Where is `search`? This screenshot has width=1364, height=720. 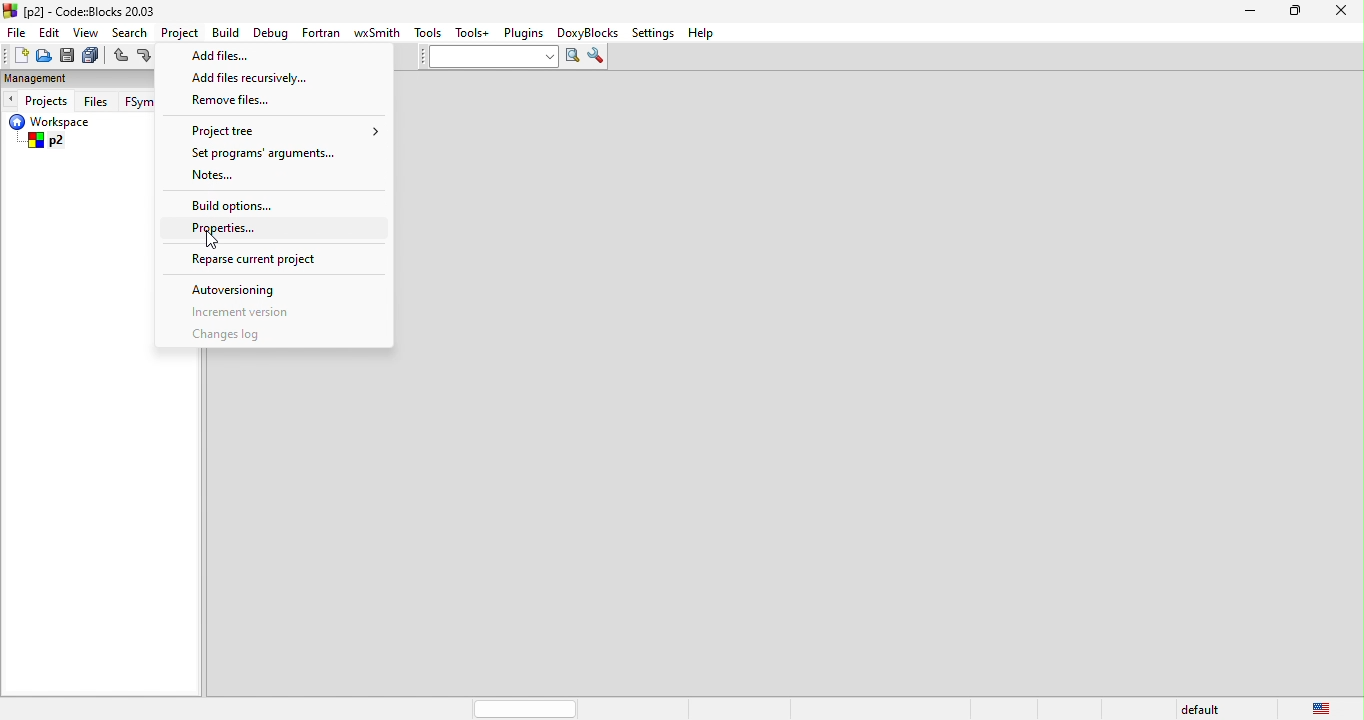
search is located at coordinates (131, 32).